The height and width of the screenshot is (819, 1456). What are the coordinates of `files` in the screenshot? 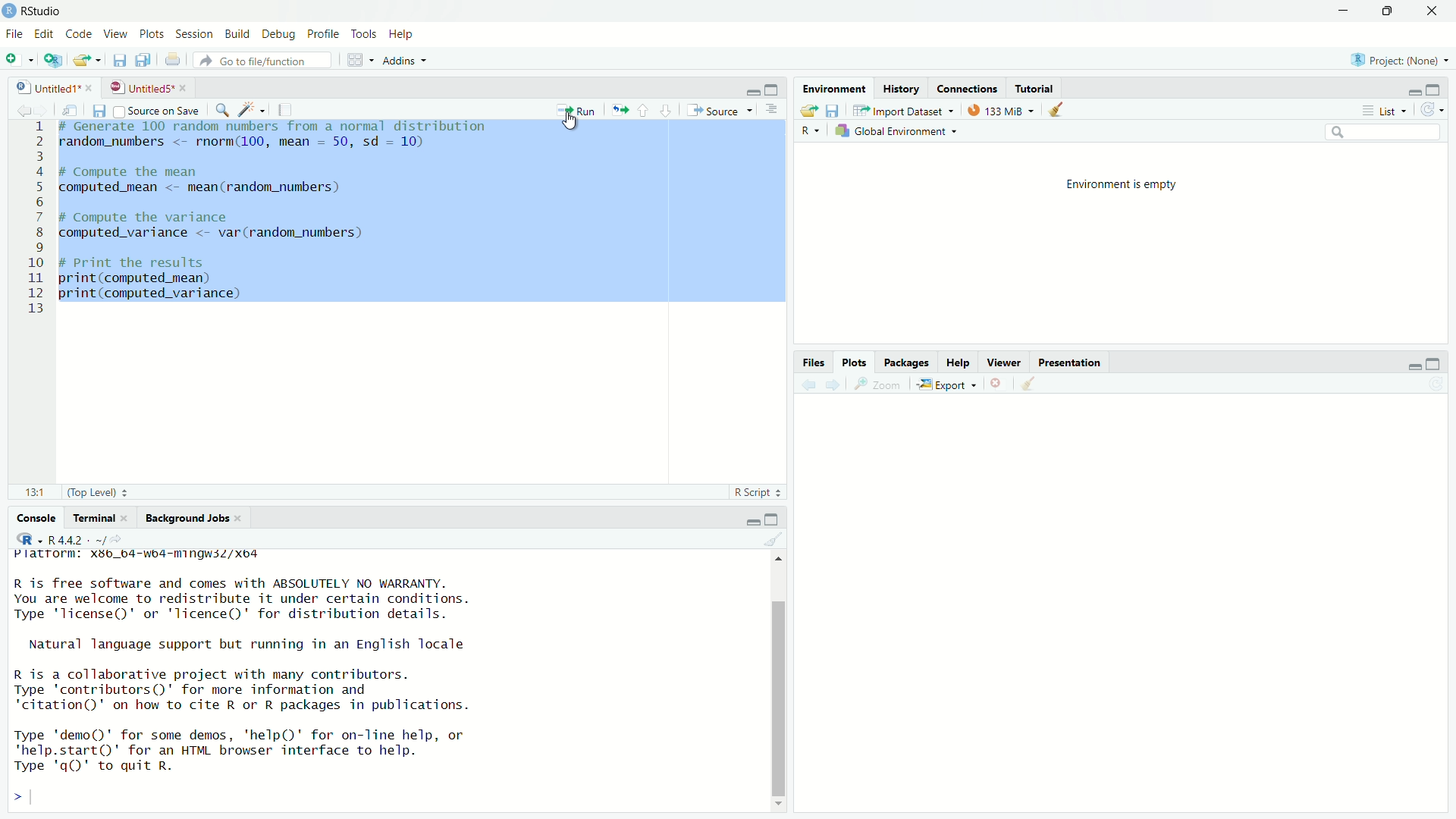 It's located at (813, 362).